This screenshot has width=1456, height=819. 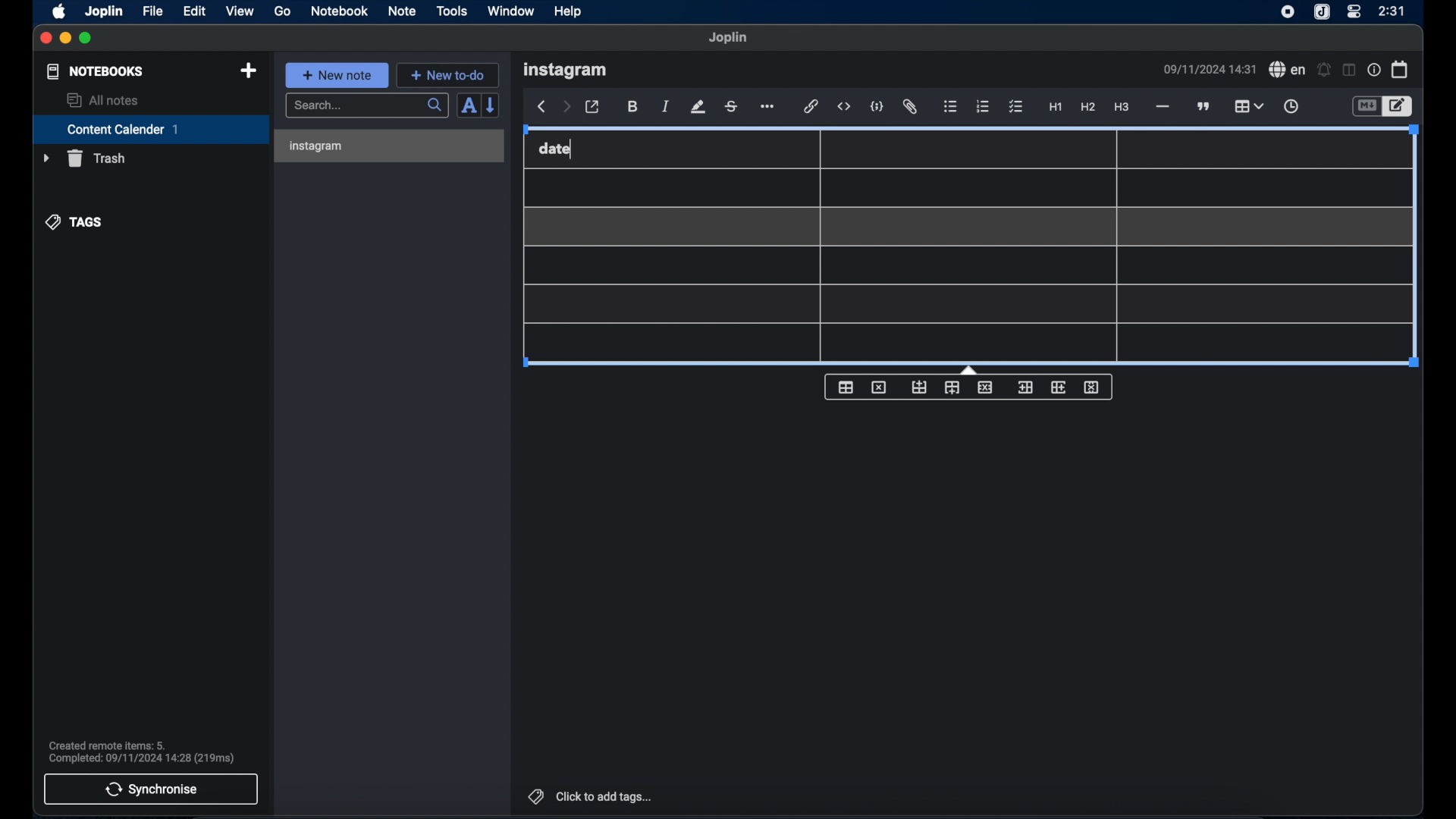 I want to click on toggle editor, so click(x=1365, y=105).